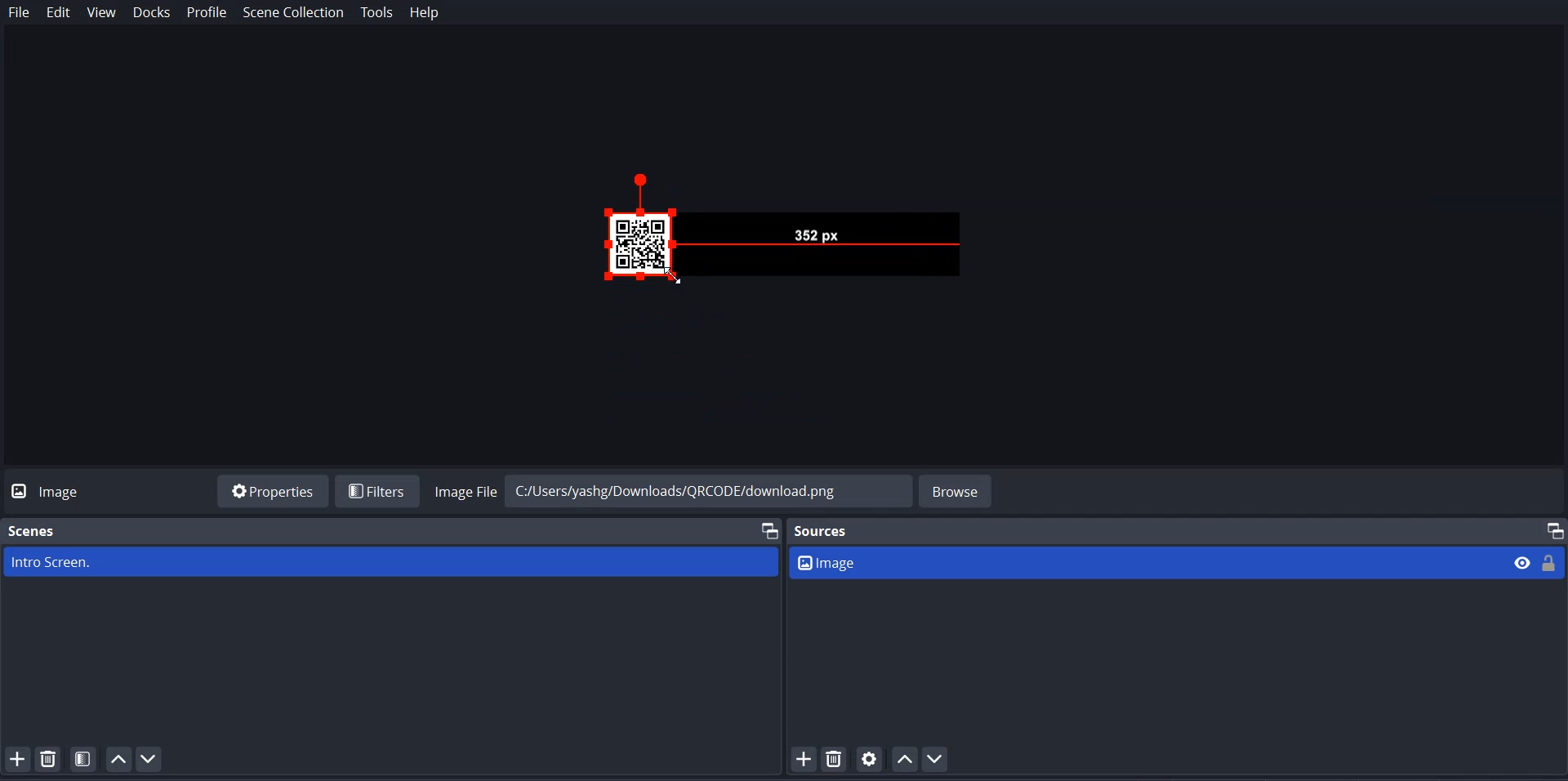 The image size is (1568, 781). What do you see at coordinates (906, 758) in the screenshot?
I see `Move Source Up` at bounding box center [906, 758].